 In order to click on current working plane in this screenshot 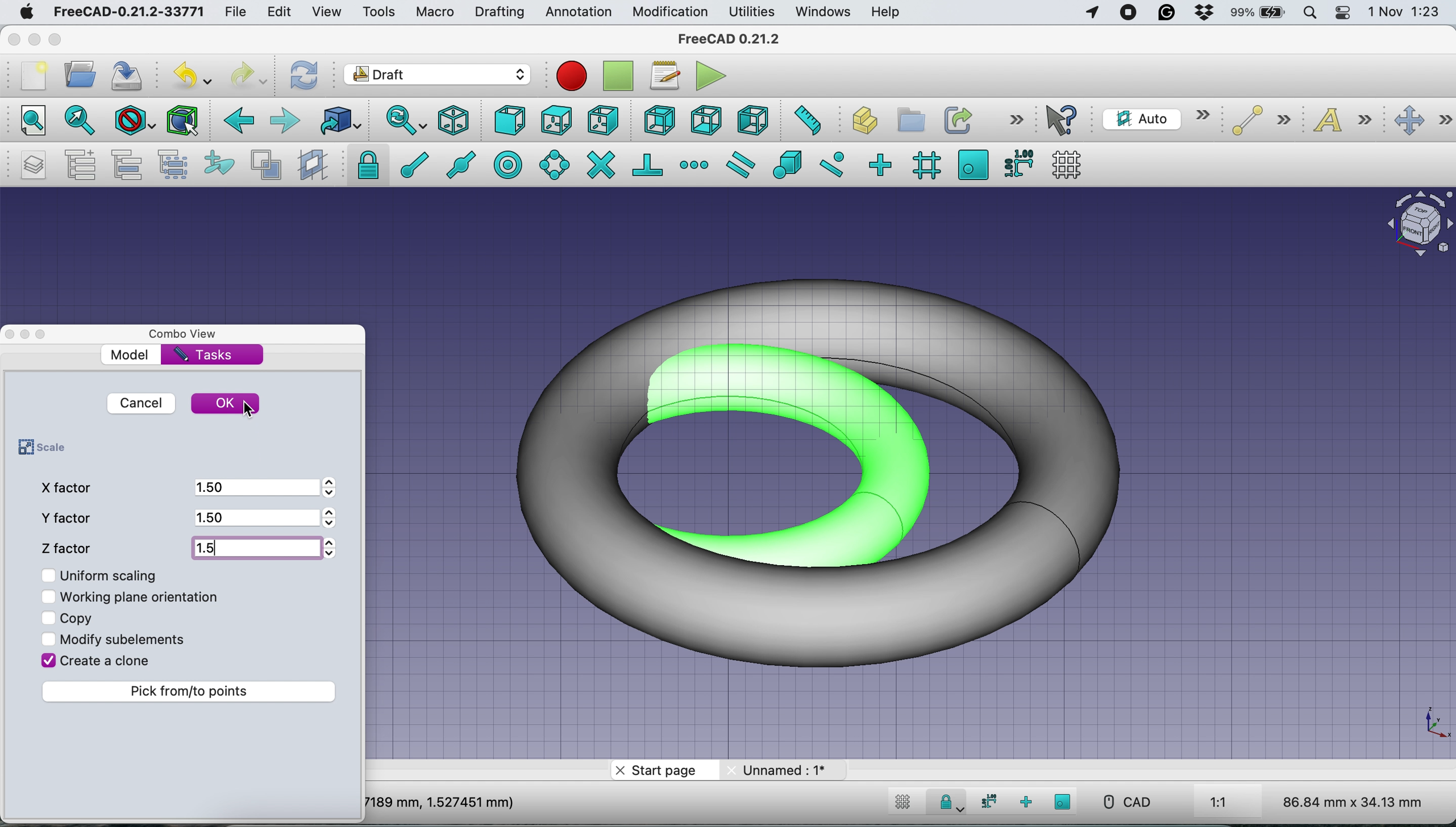, I will do `click(1155, 118)`.